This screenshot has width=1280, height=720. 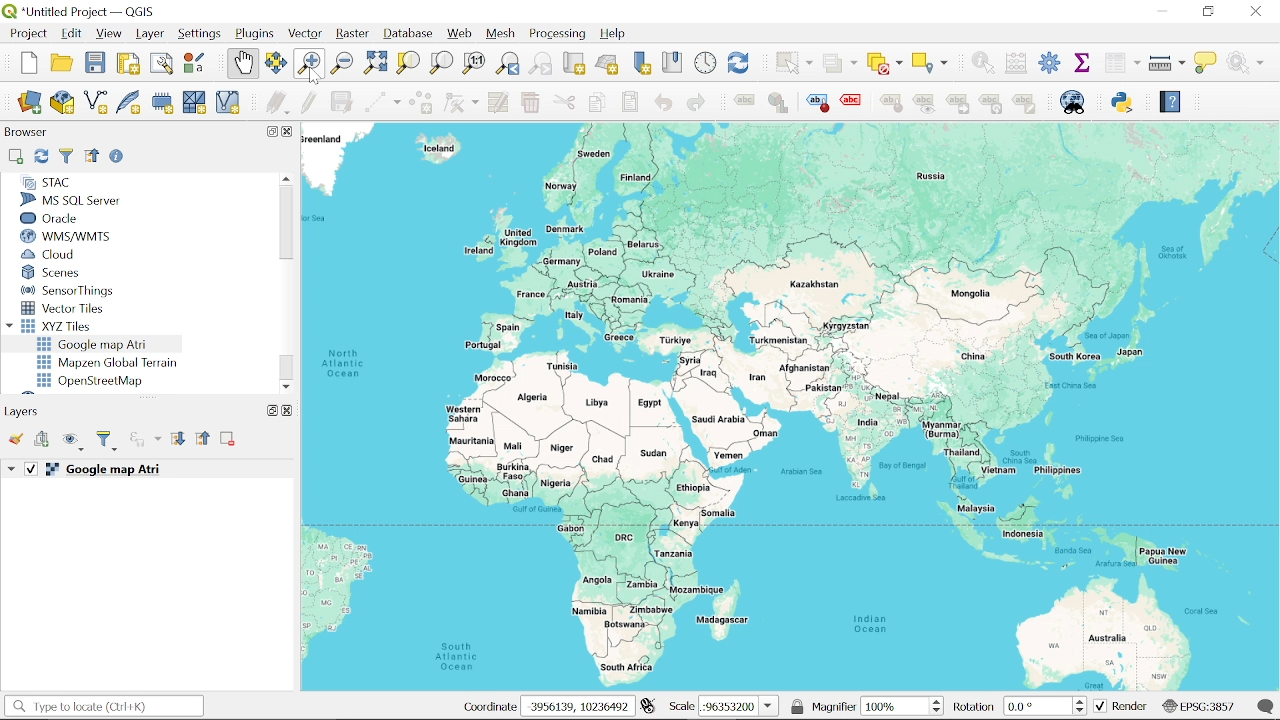 I want to click on magnifier, so click(x=834, y=706).